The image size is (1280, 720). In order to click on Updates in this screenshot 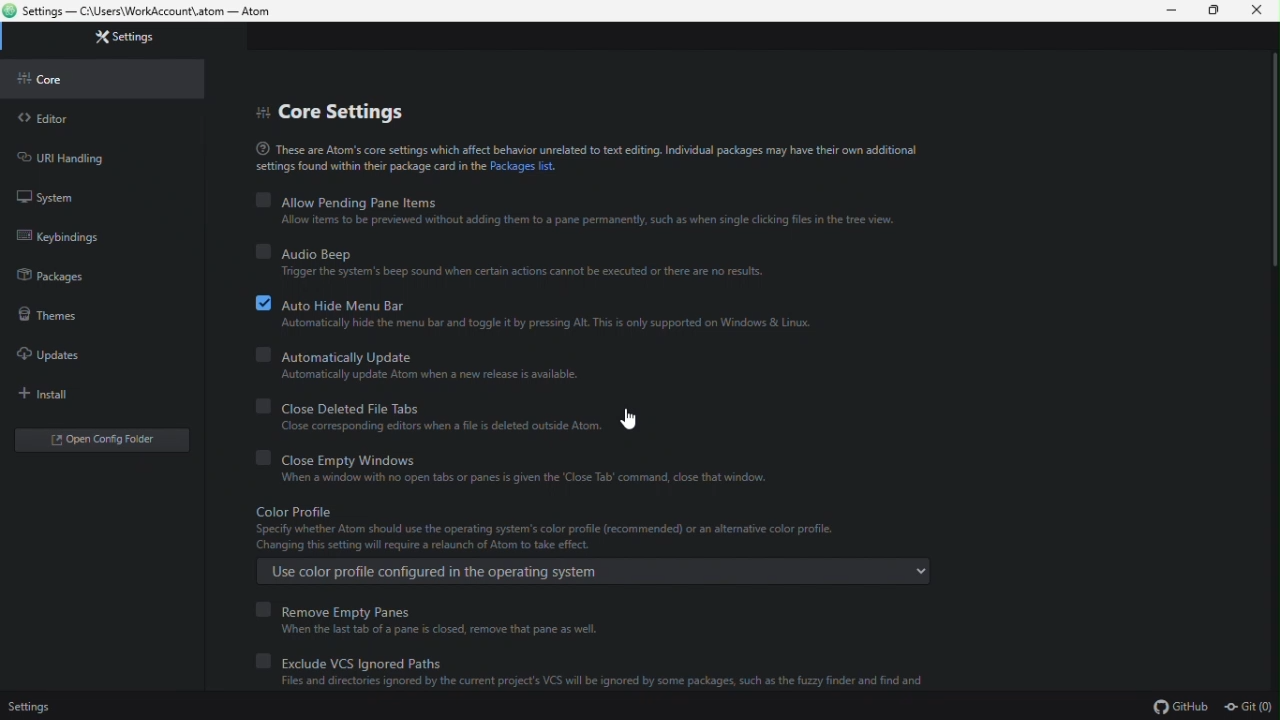, I will do `click(92, 354)`.